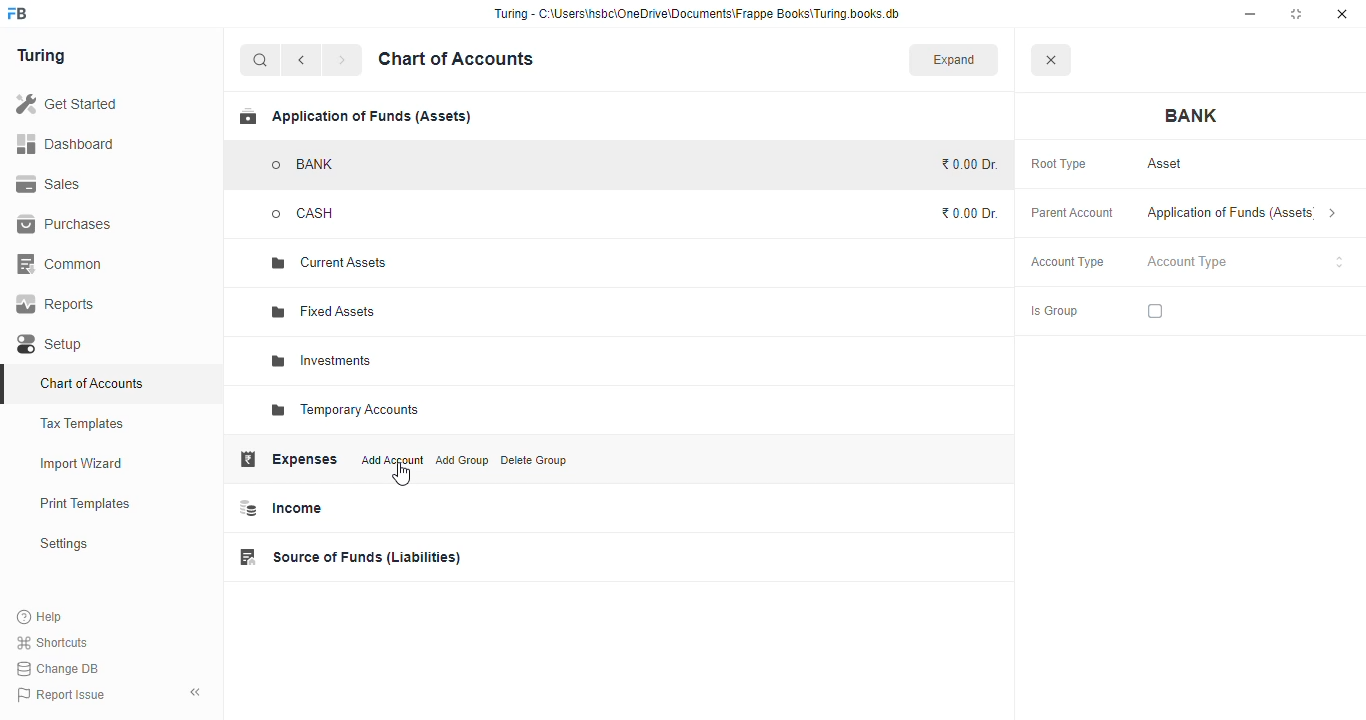 Image resolution: width=1366 pixels, height=720 pixels. What do you see at coordinates (85, 503) in the screenshot?
I see `print templates` at bounding box center [85, 503].